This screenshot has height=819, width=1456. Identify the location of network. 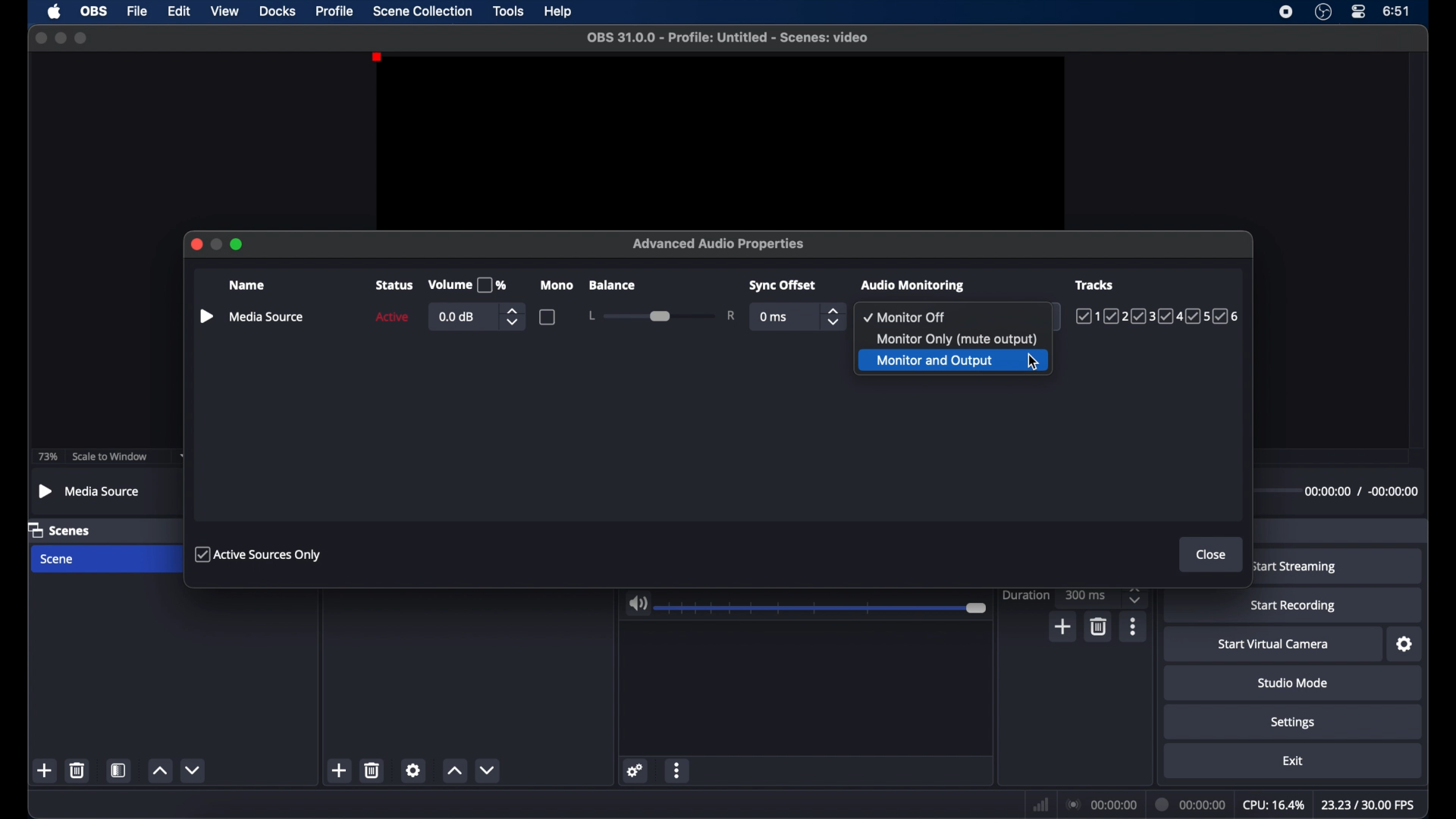
(1041, 804).